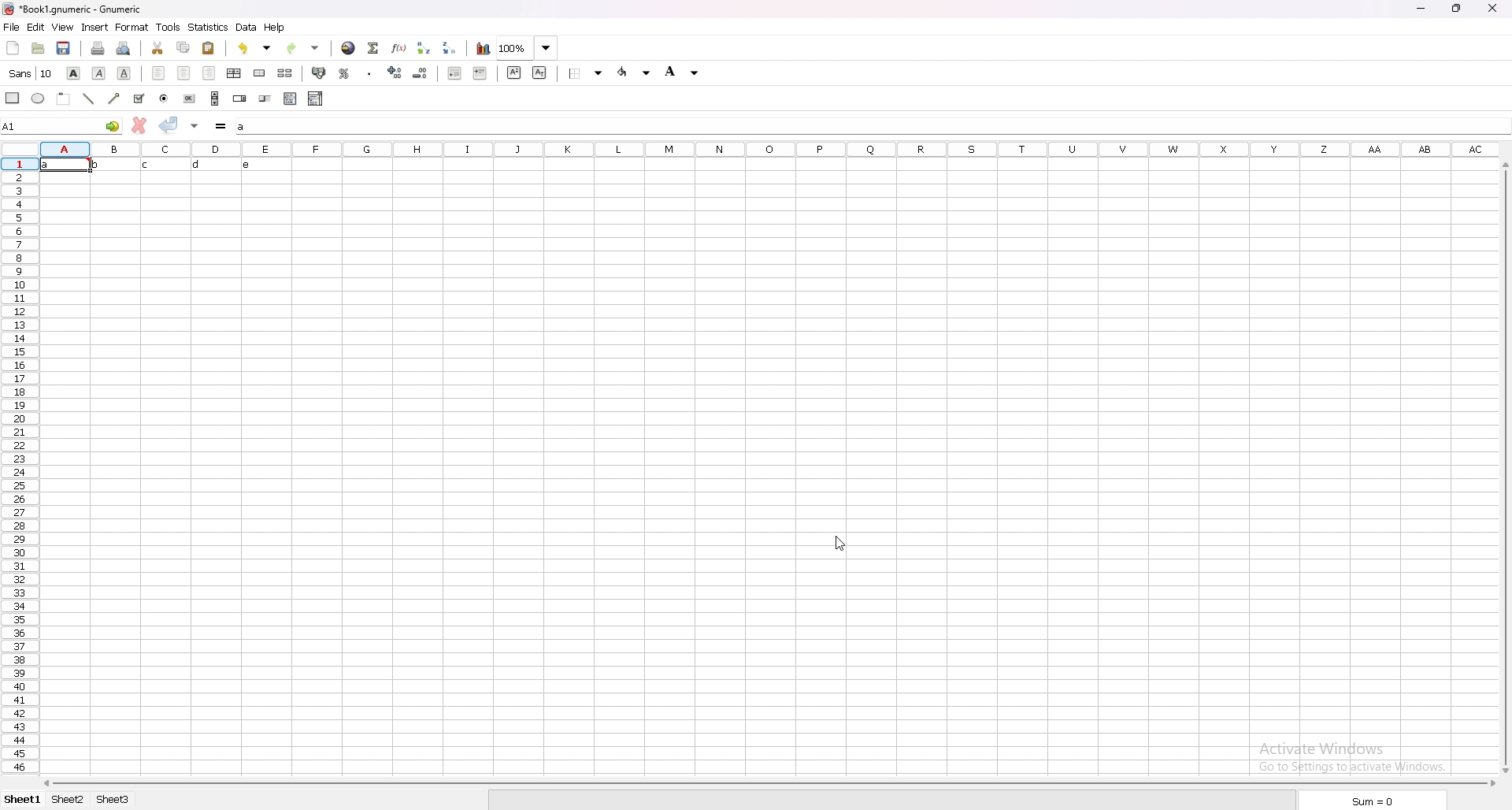 The image size is (1512, 810). What do you see at coordinates (303, 48) in the screenshot?
I see `redo` at bounding box center [303, 48].